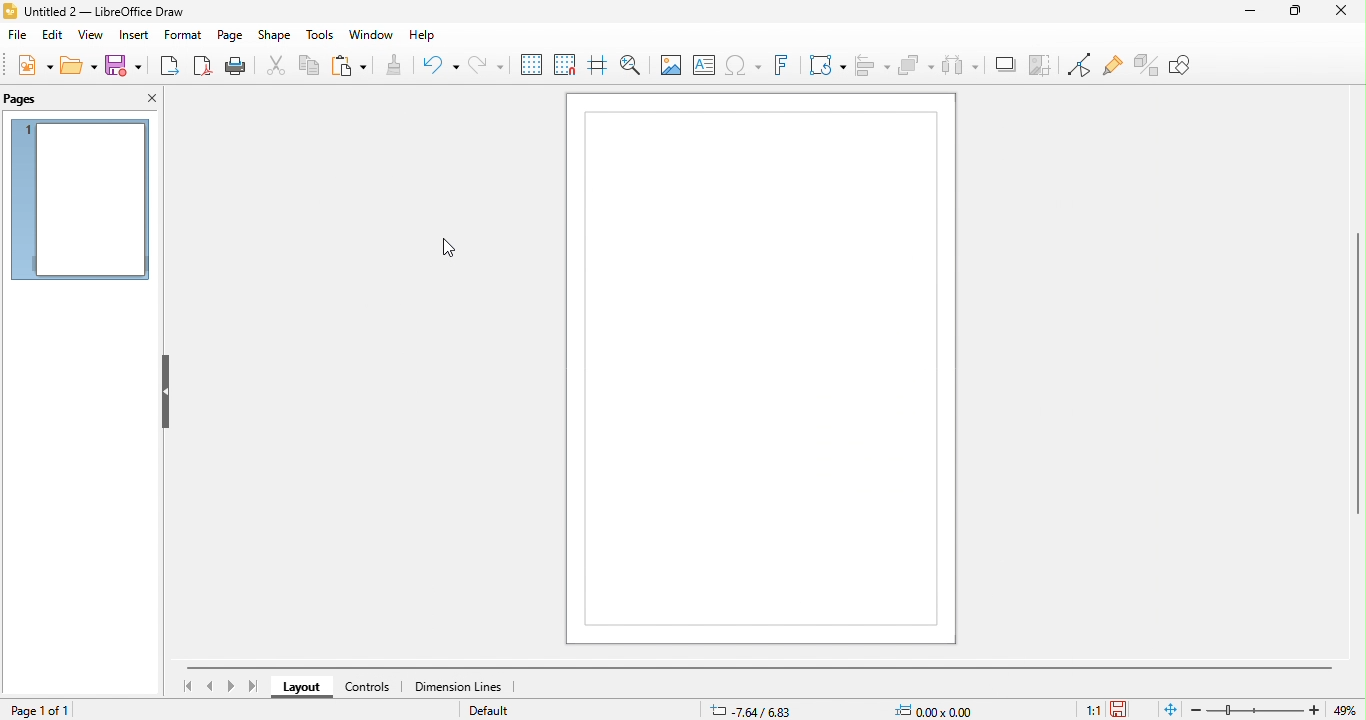  Describe the element at coordinates (320, 36) in the screenshot. I see `tools` at that location.